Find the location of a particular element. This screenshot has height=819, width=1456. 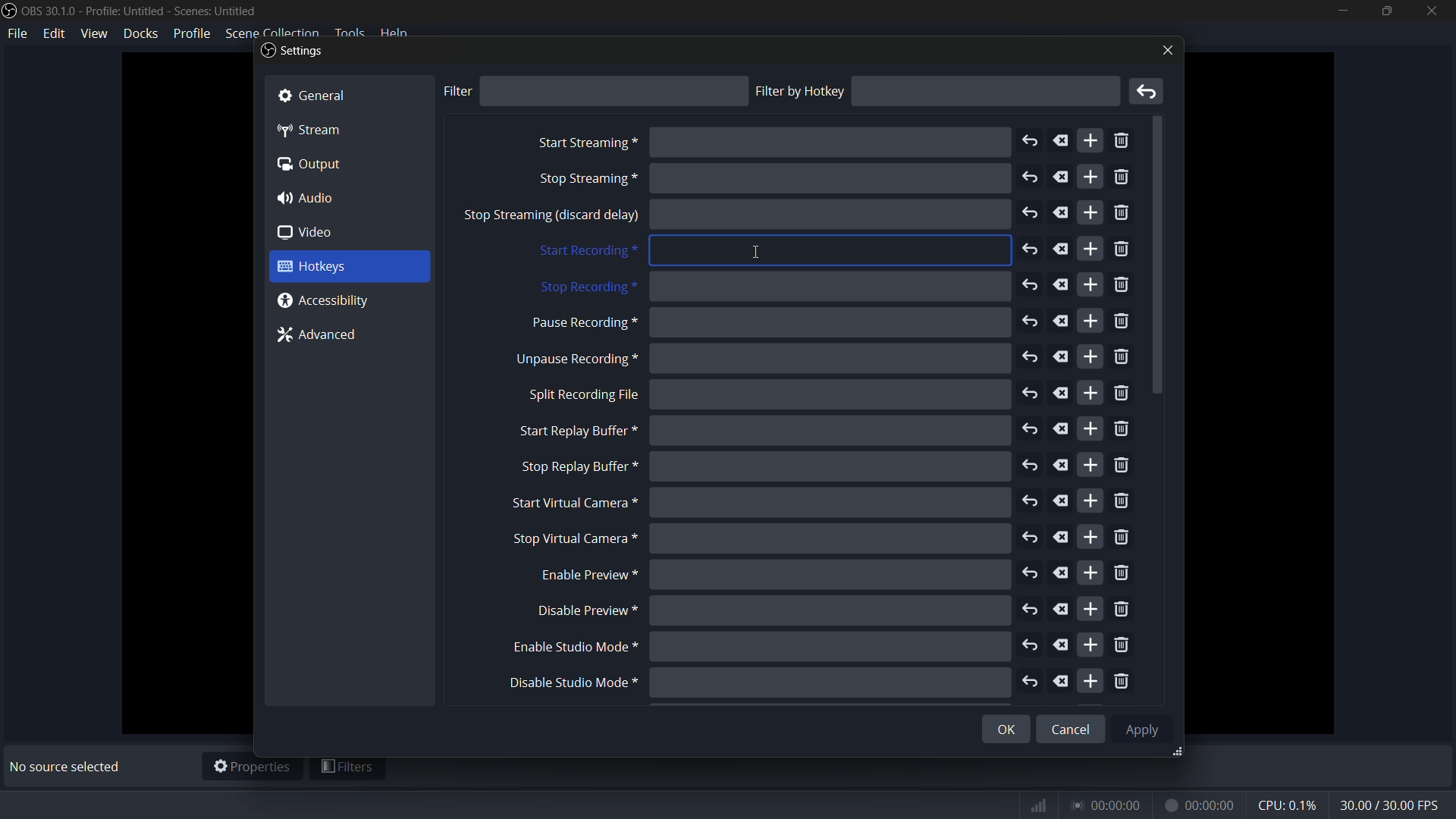

add more is located at coordinates (1091, 680).